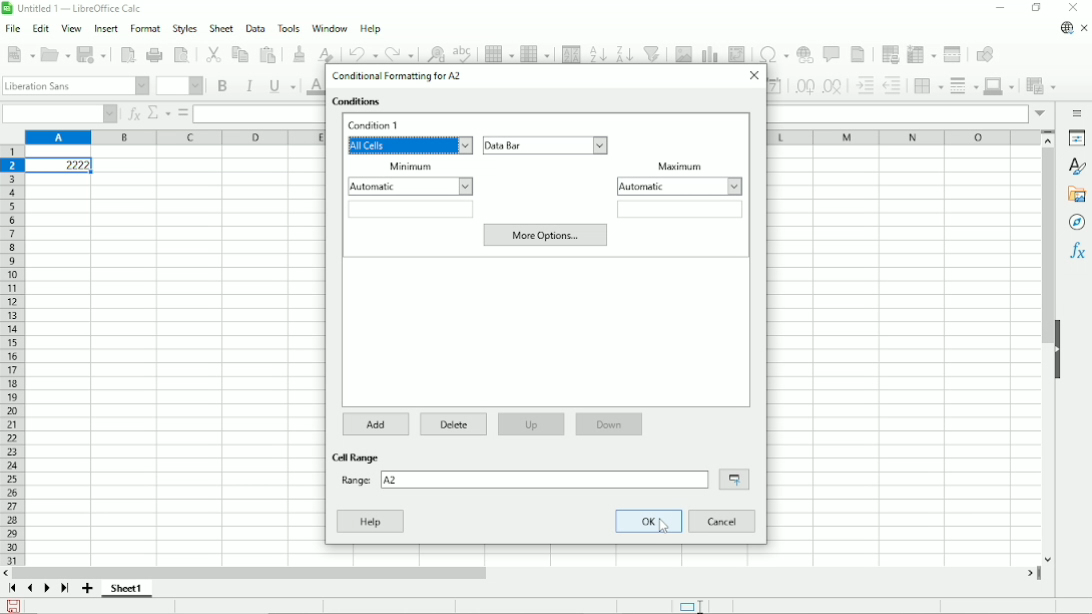  Describe the element at coordinates (12, 357) in the screenshot. I see `Row headings ` at that location.